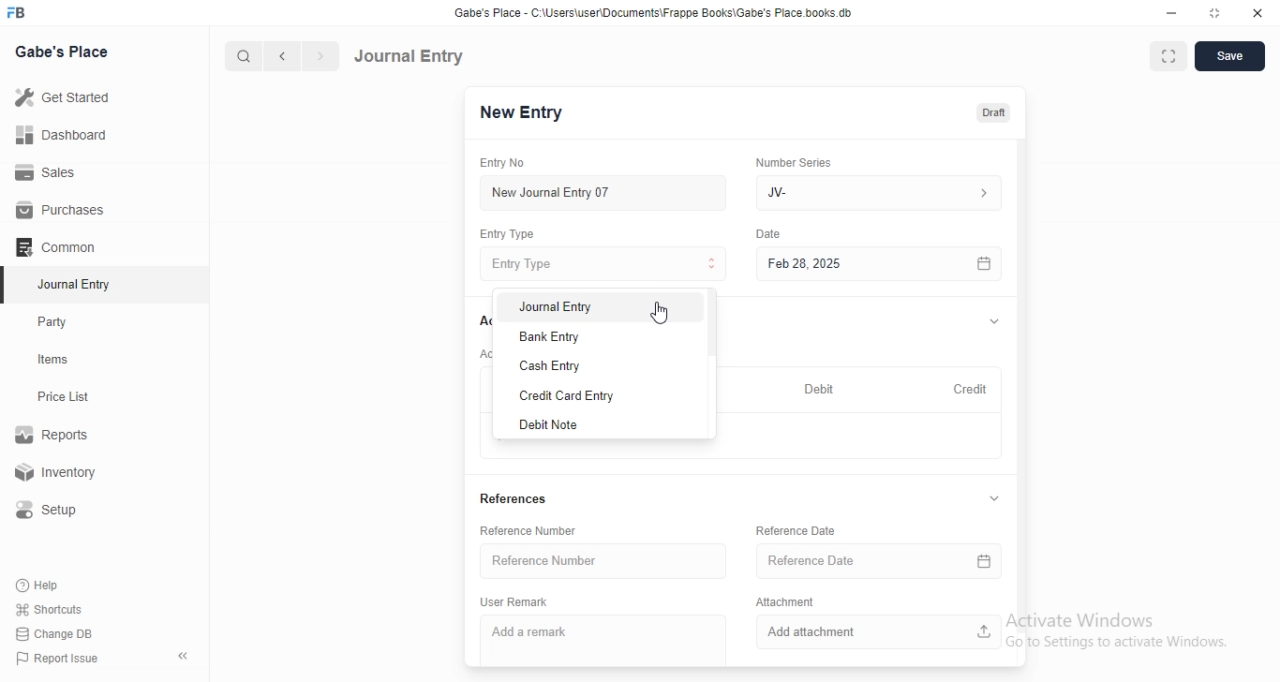 Image resolution: width=1280 pixels, height=682 pixels. I want to click on Party, so click(57, 322).